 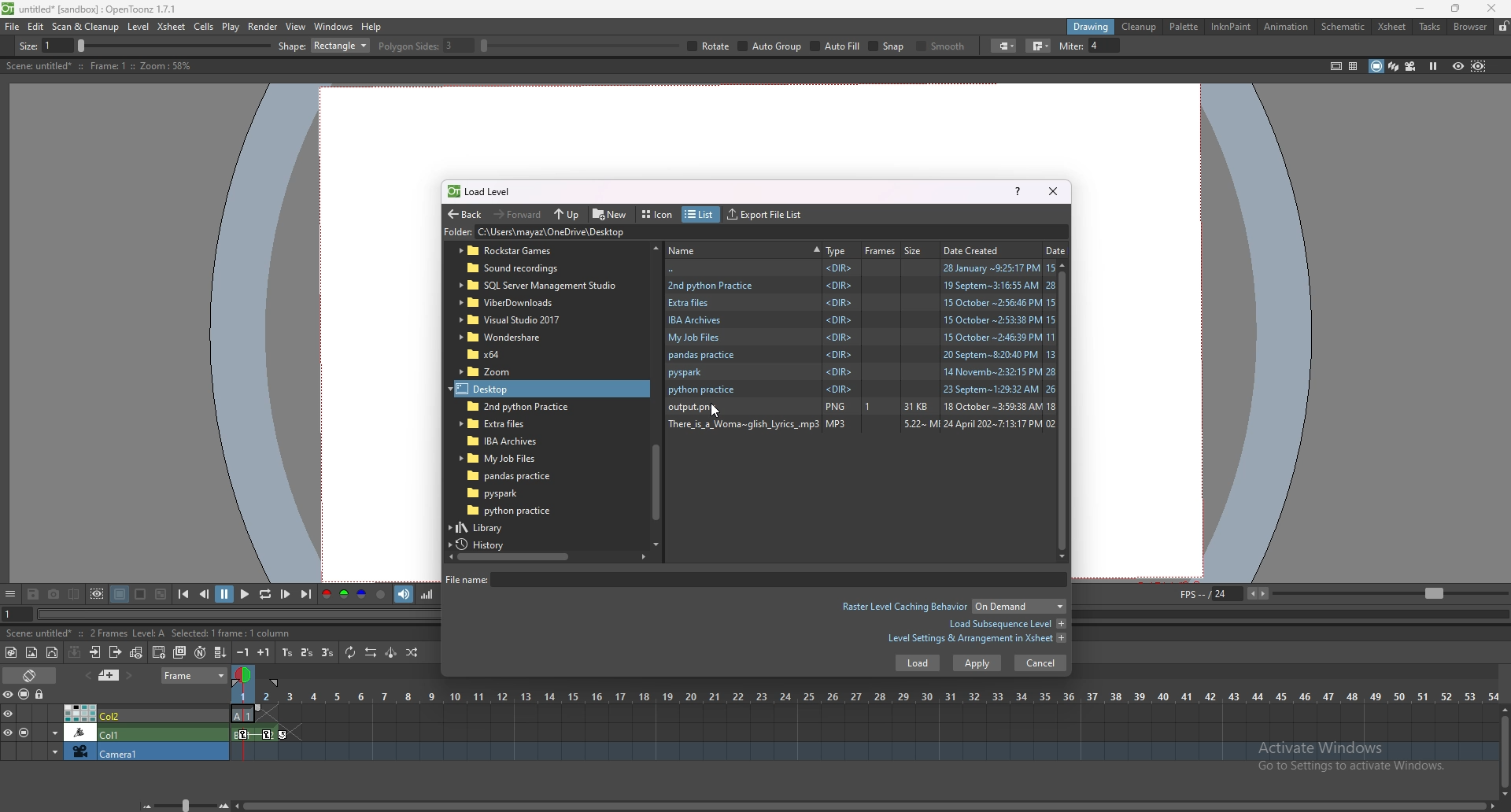 I want to click on folder, so click(x=860, y=320).